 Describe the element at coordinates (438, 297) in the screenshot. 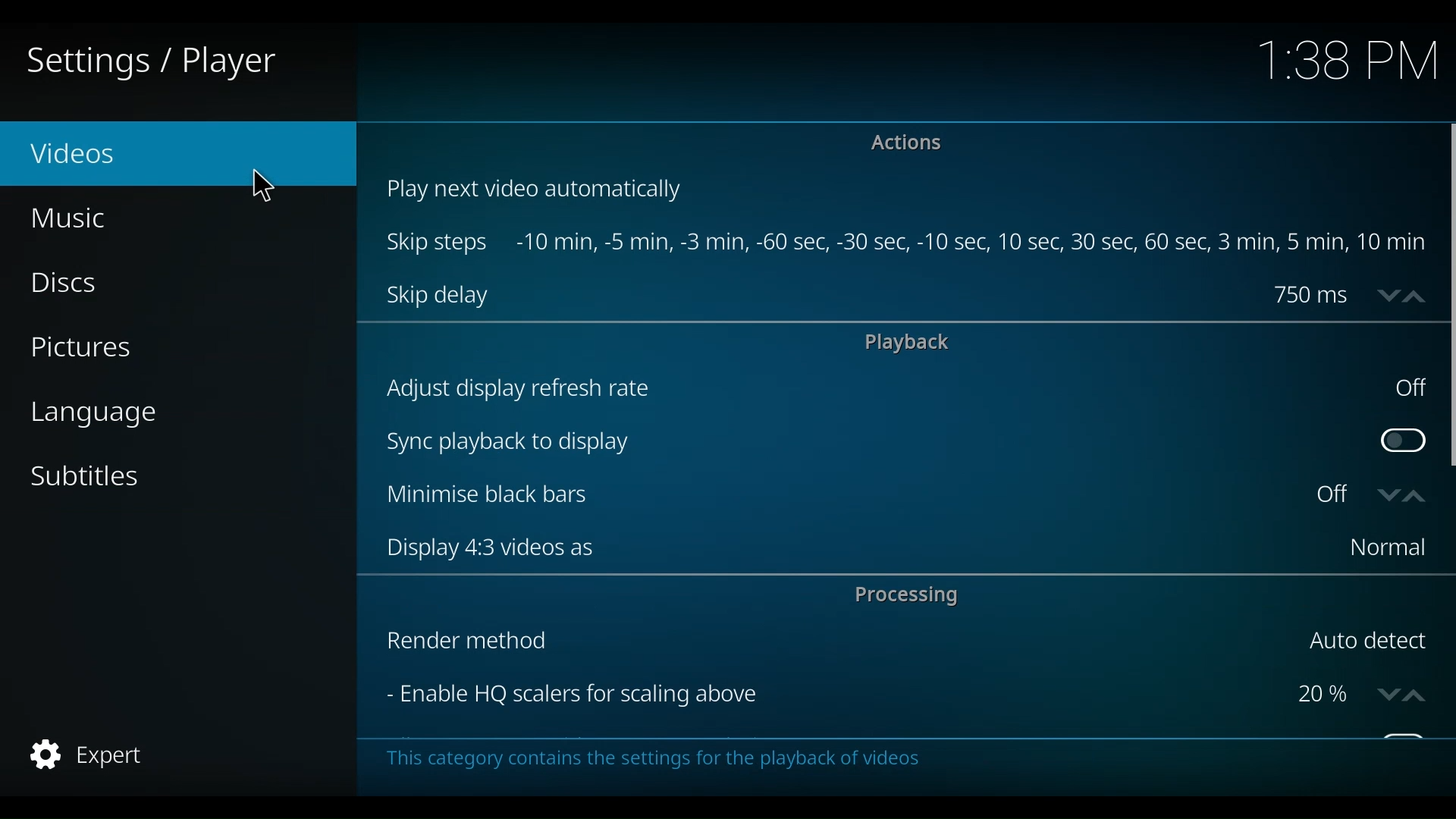

I see `Skip delay` at that location.